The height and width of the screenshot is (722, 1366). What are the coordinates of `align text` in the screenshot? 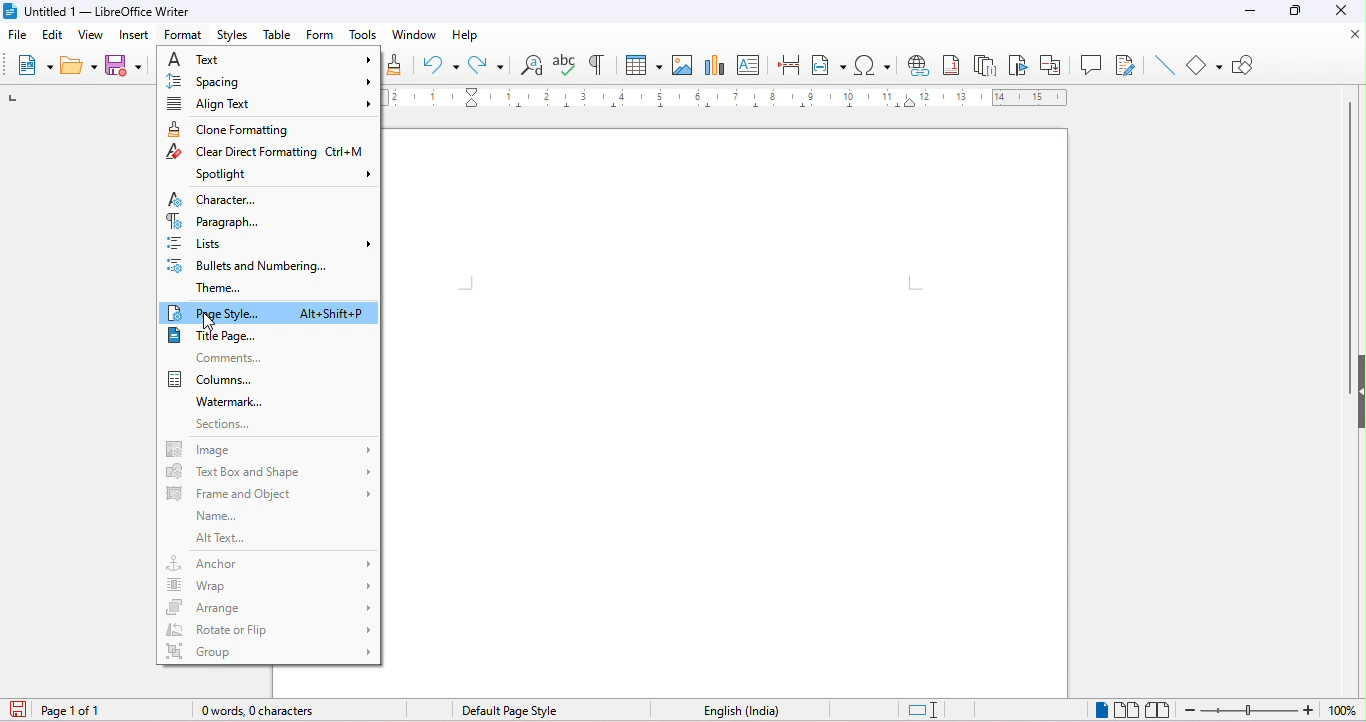 It's located at (273, 102).